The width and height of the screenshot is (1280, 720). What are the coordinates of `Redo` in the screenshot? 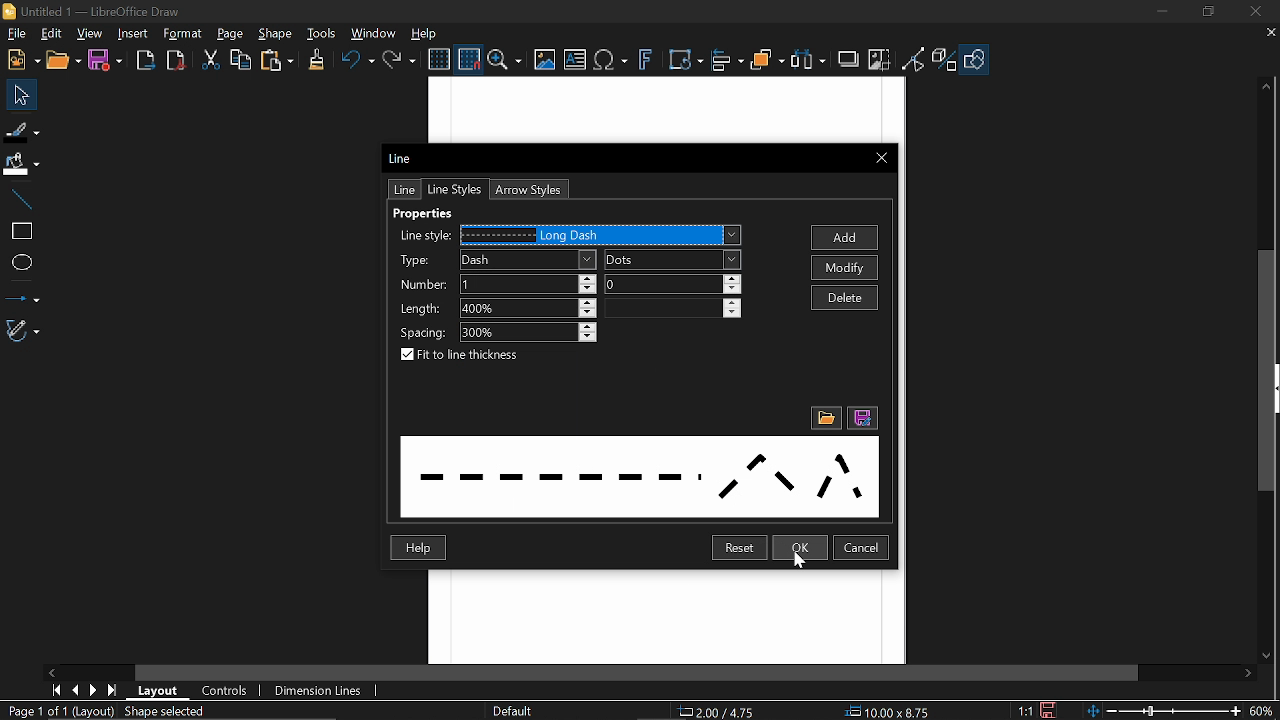 It's located at (401, 59).